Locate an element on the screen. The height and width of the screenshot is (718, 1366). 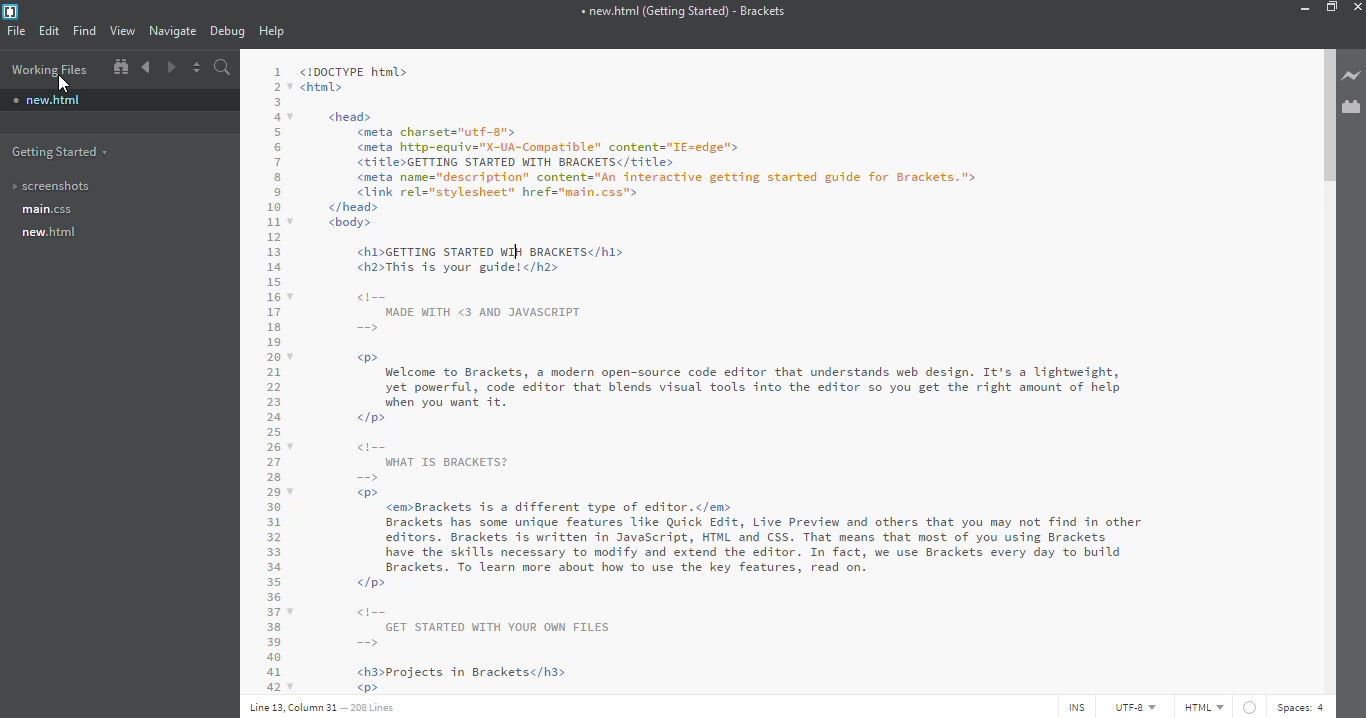
Line 13, Column 31 — 202 Lines is located at coordinates (322, 708).